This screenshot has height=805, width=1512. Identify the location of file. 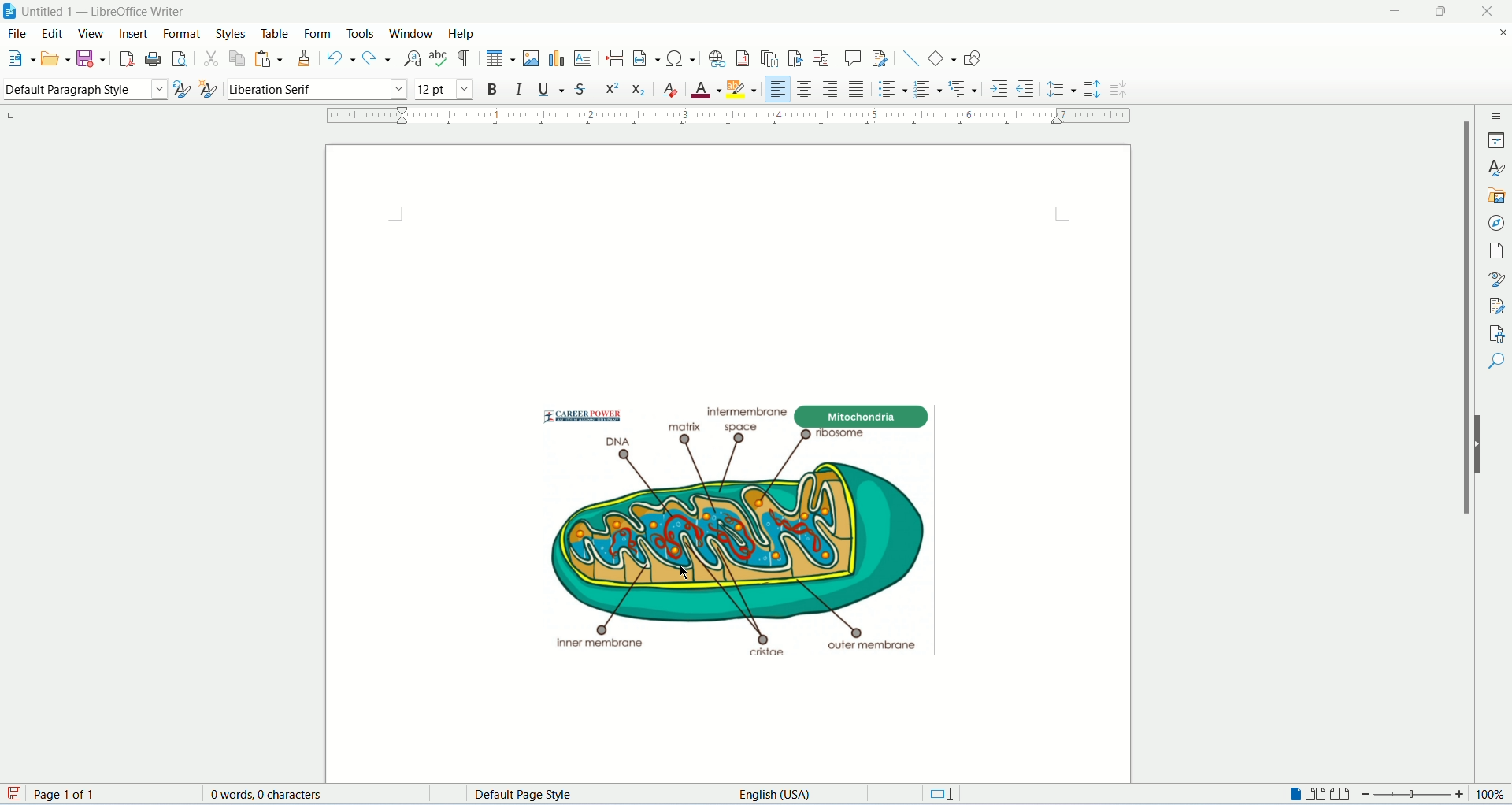
(19, 32).